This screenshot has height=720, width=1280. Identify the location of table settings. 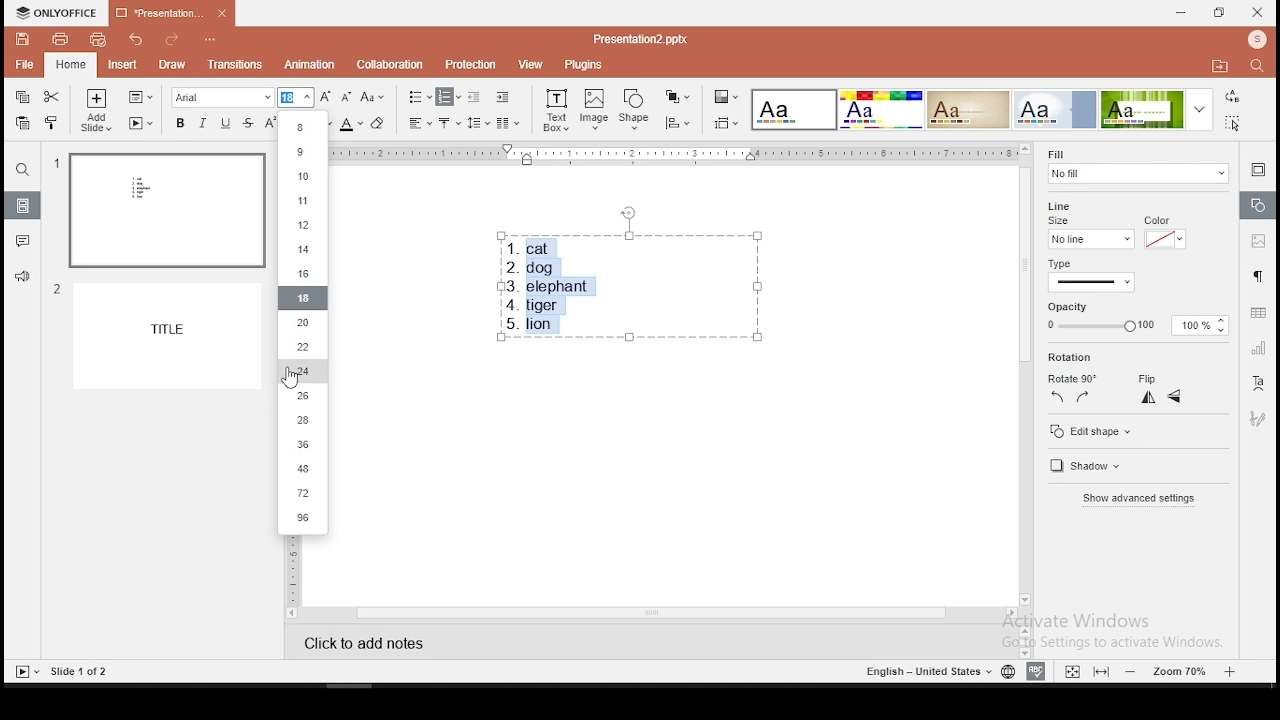
(1255, 314).